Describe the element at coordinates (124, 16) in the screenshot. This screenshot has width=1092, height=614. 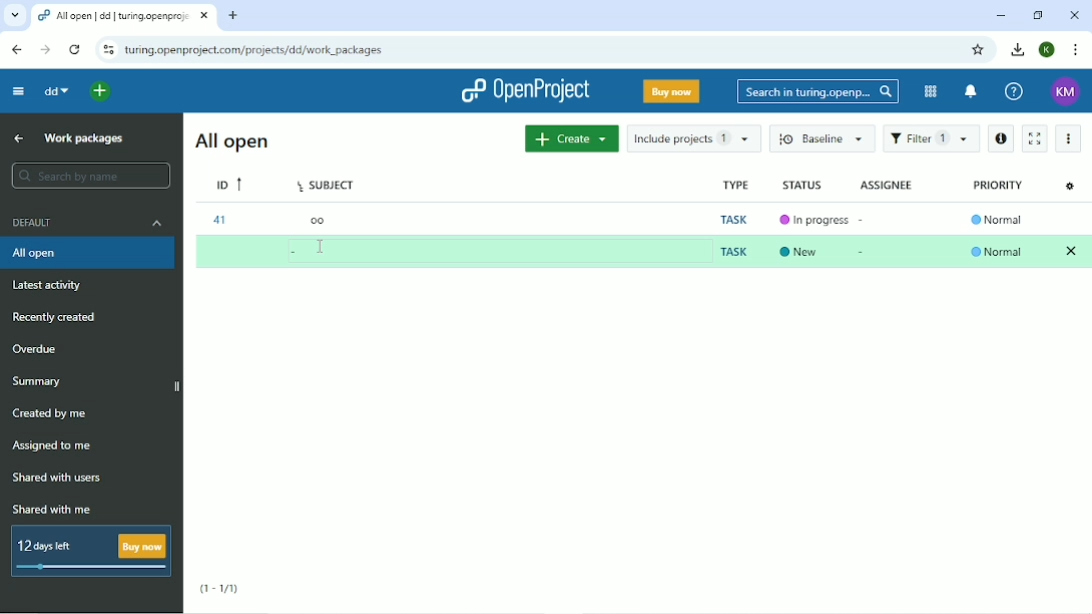
I see `Current tab` at that location.